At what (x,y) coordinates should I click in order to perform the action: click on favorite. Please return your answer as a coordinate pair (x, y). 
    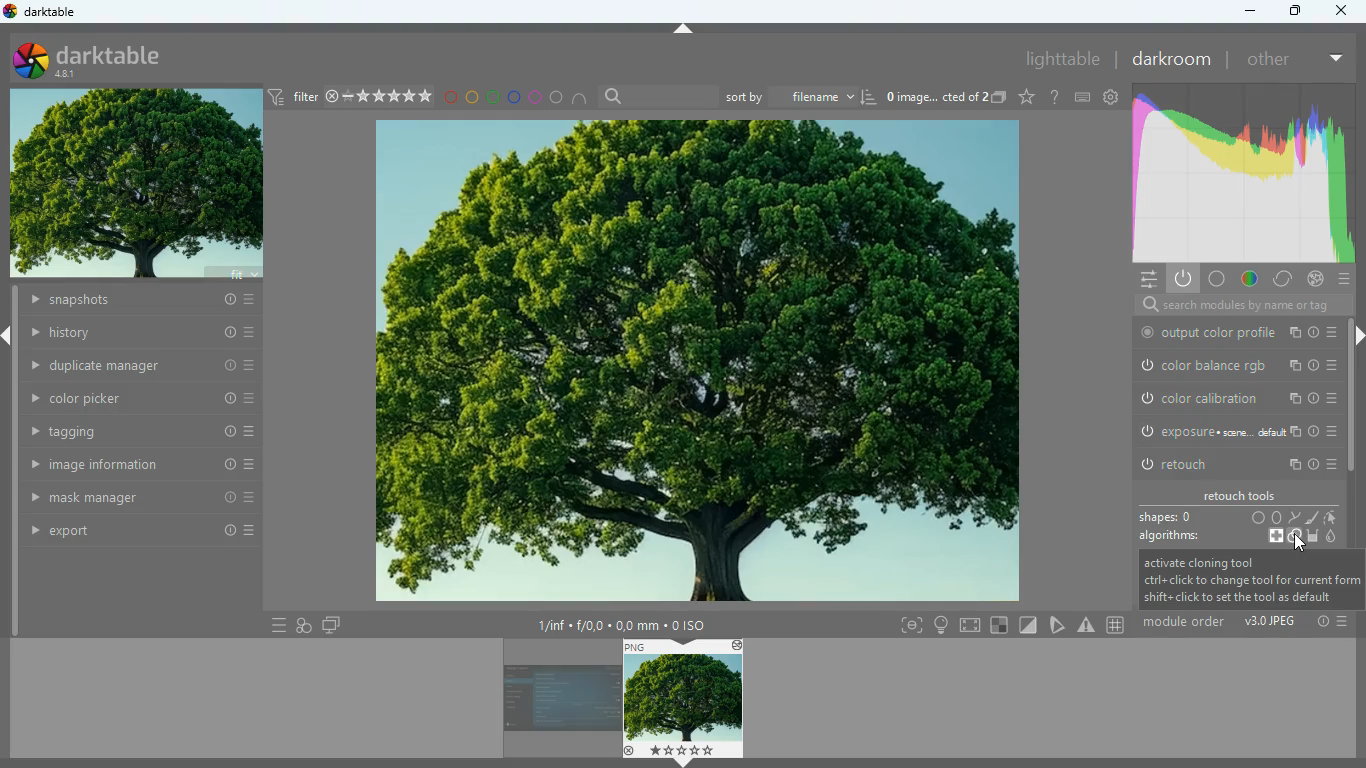
    Looking at the image, I should click on (1025, 96).